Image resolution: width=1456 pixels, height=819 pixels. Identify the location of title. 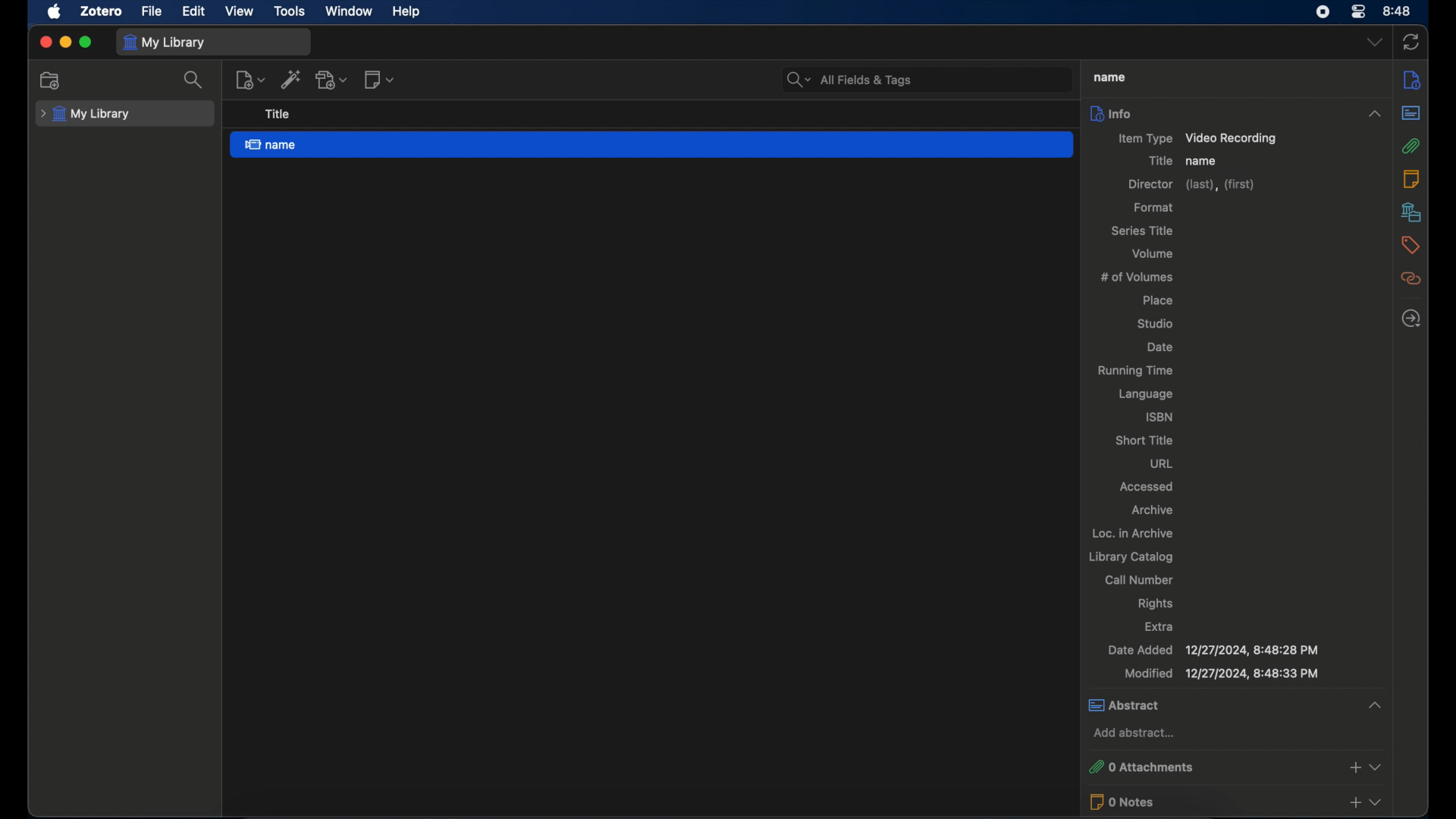
(1159, 161).